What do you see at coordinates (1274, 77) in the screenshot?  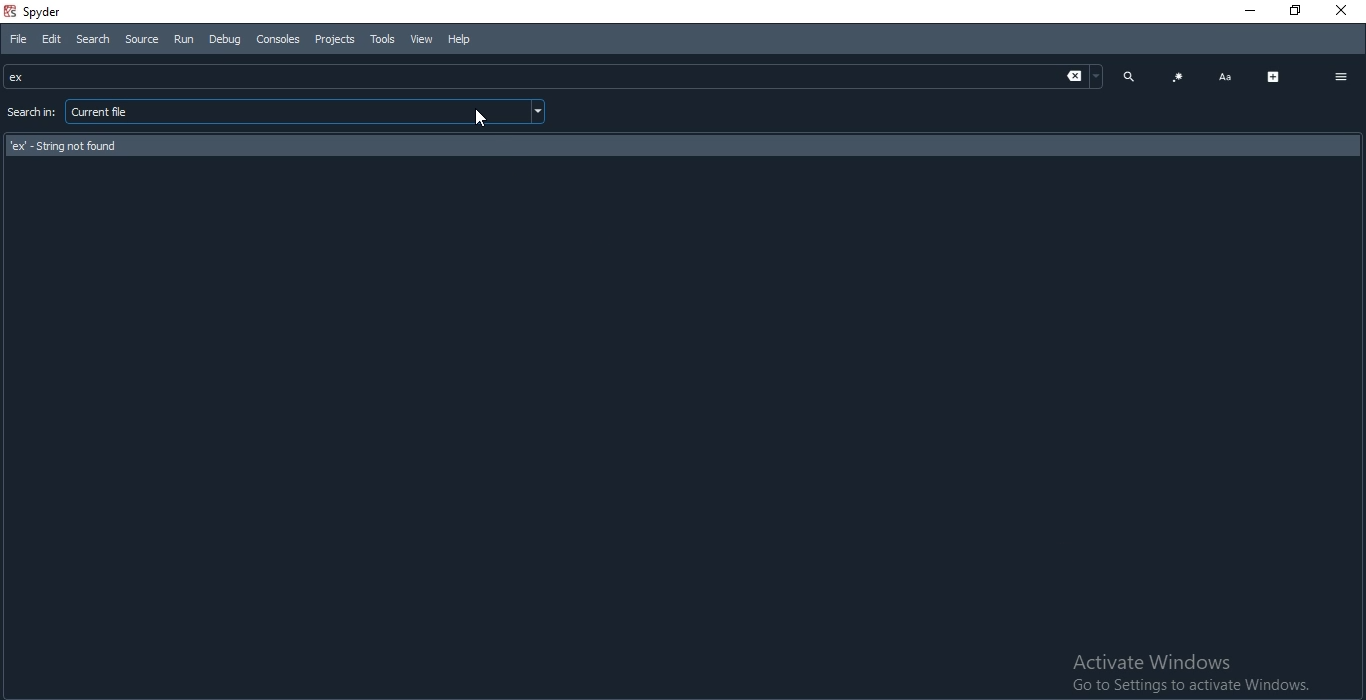 I see `expand` at bounding box center [1274, 77].